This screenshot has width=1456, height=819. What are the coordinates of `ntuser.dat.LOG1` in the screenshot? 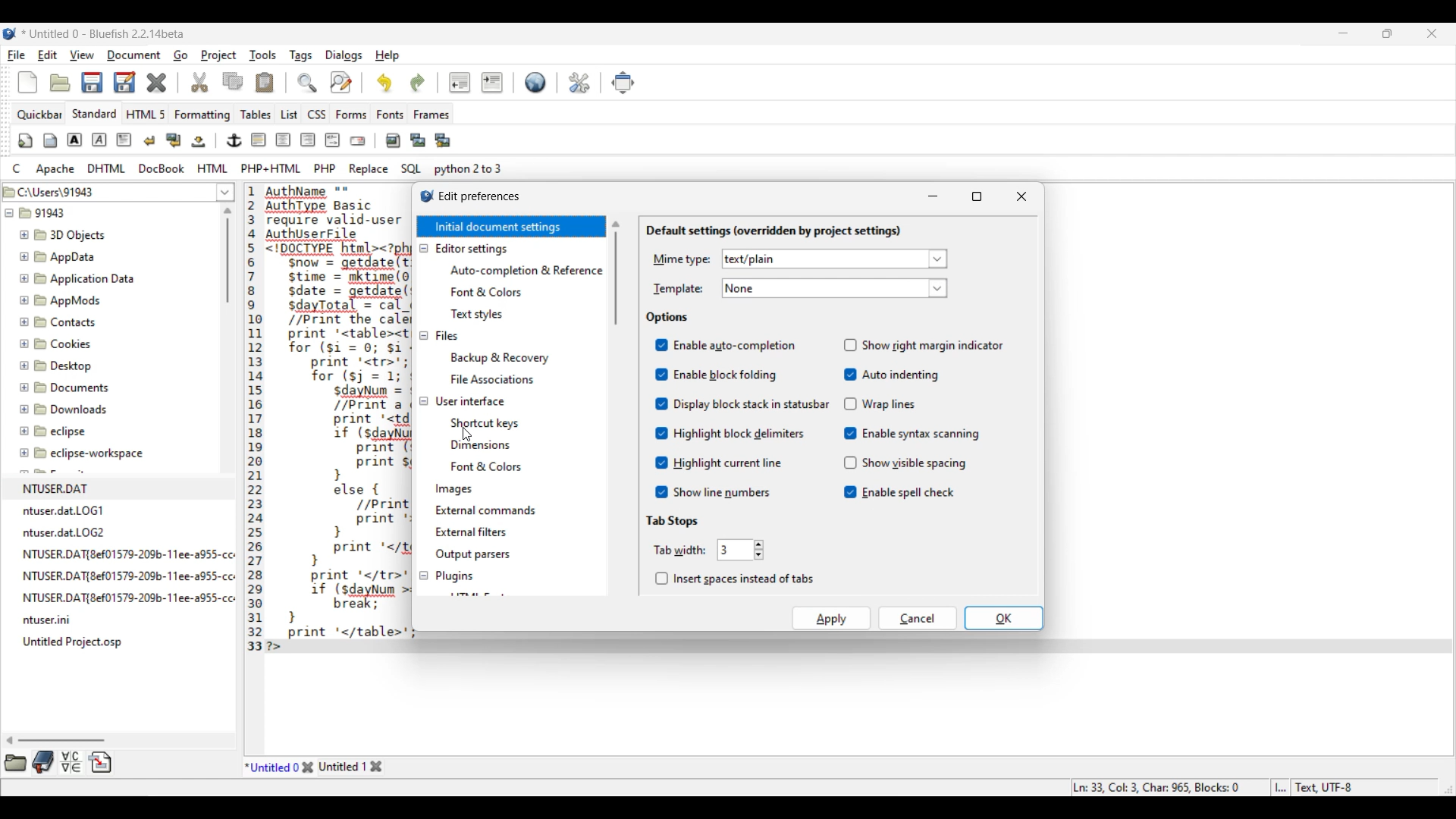 It's located at (70, 509).